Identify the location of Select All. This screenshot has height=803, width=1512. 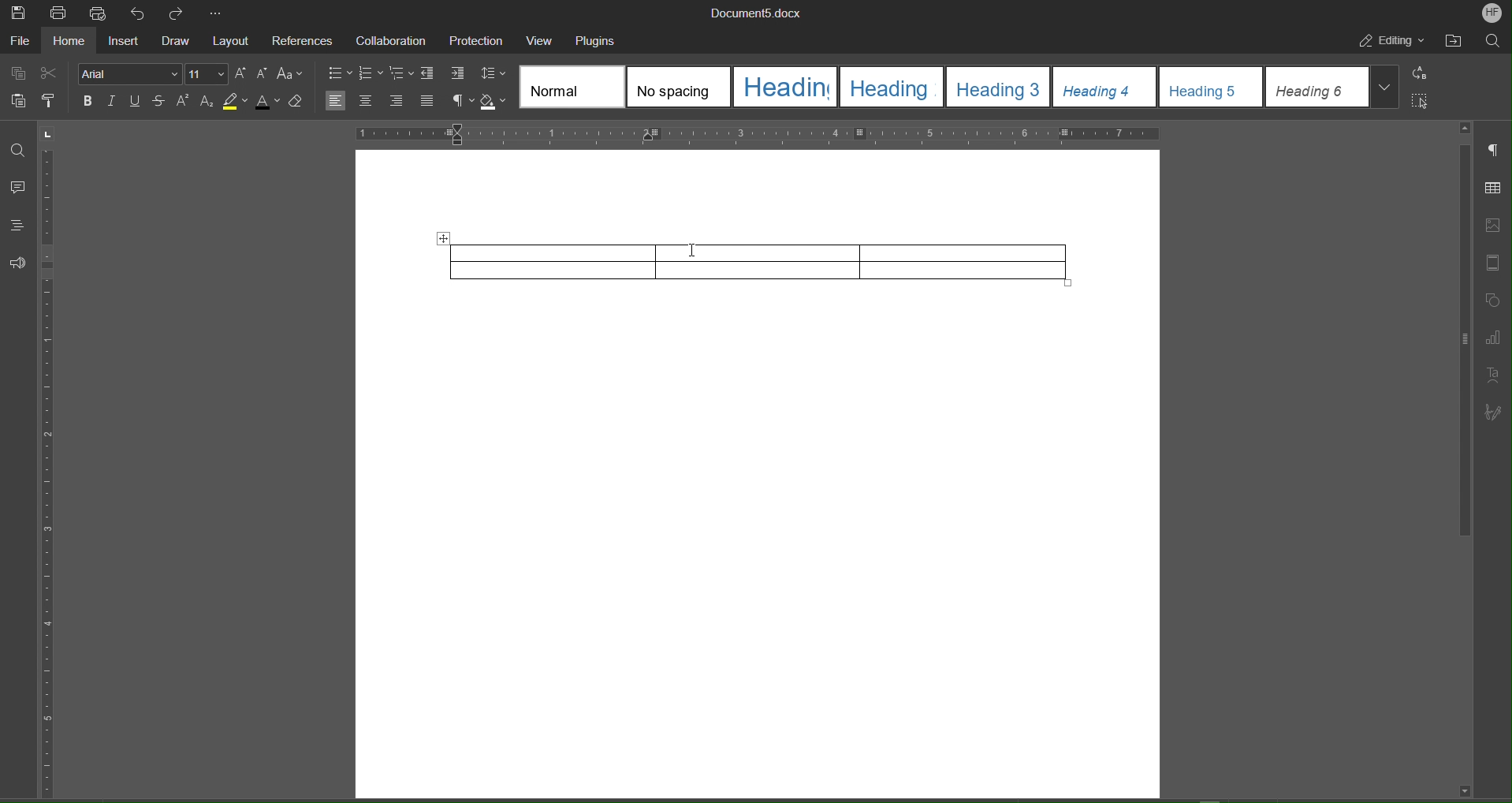
(1424, 101).